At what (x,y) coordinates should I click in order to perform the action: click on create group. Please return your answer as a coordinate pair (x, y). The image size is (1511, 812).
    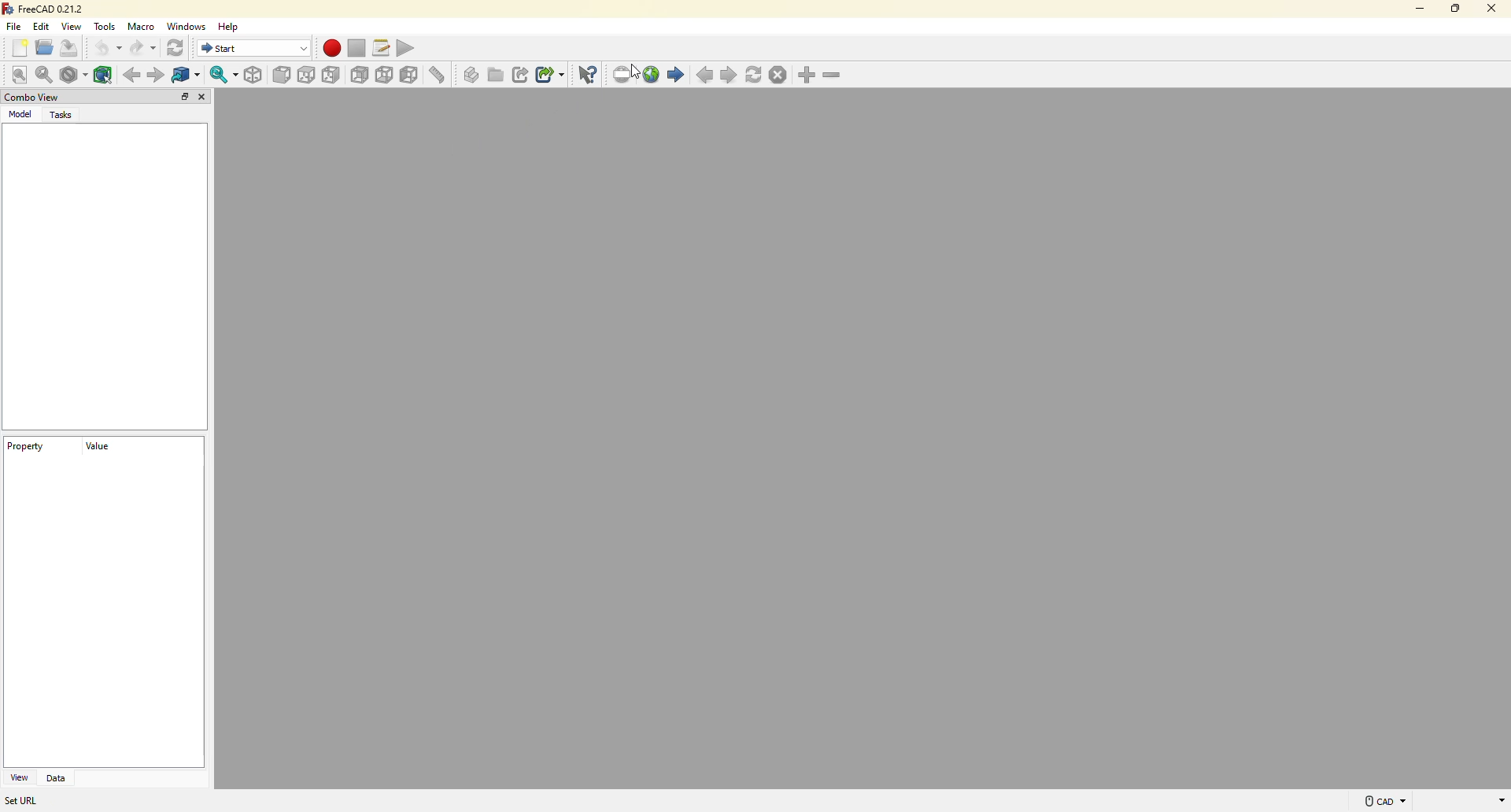
    Looking at the image, I should click on (497, 74).